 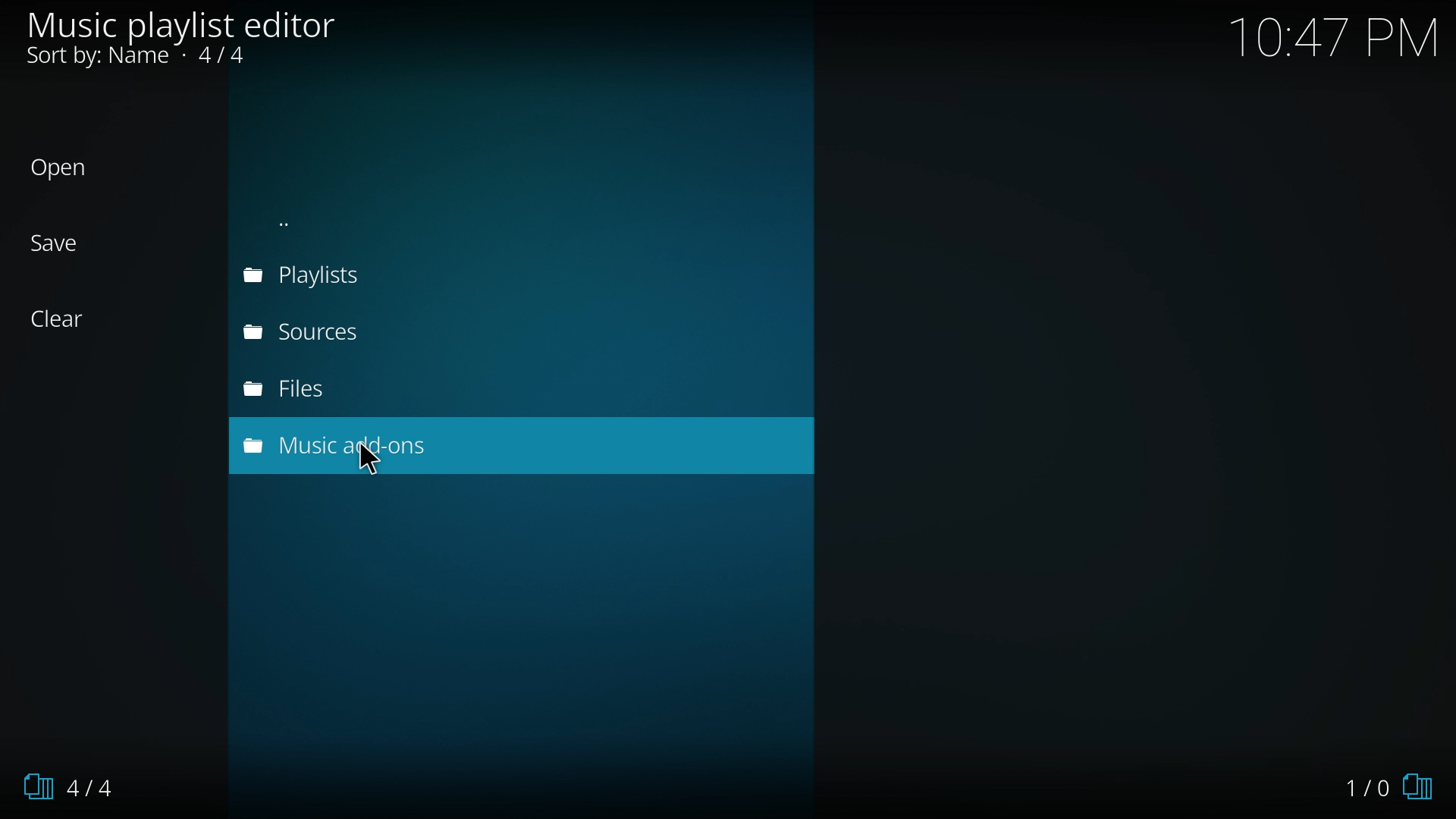 What do you see at coordinates (1392, 784) in the screenshot?
I see `1/0` at bounding box center [1392, 784].